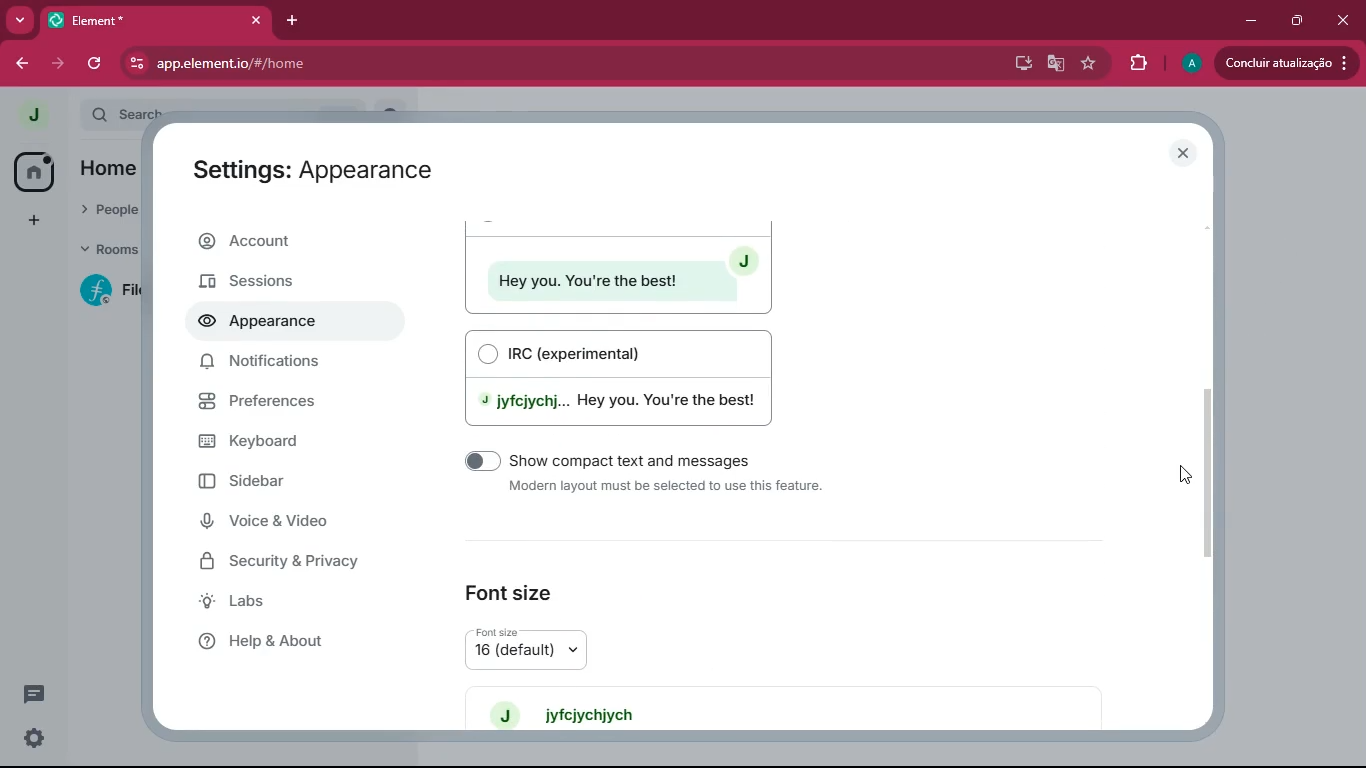  Describe the element at coordinates (512, 586) in the screenshot. I see `font size` at that location.